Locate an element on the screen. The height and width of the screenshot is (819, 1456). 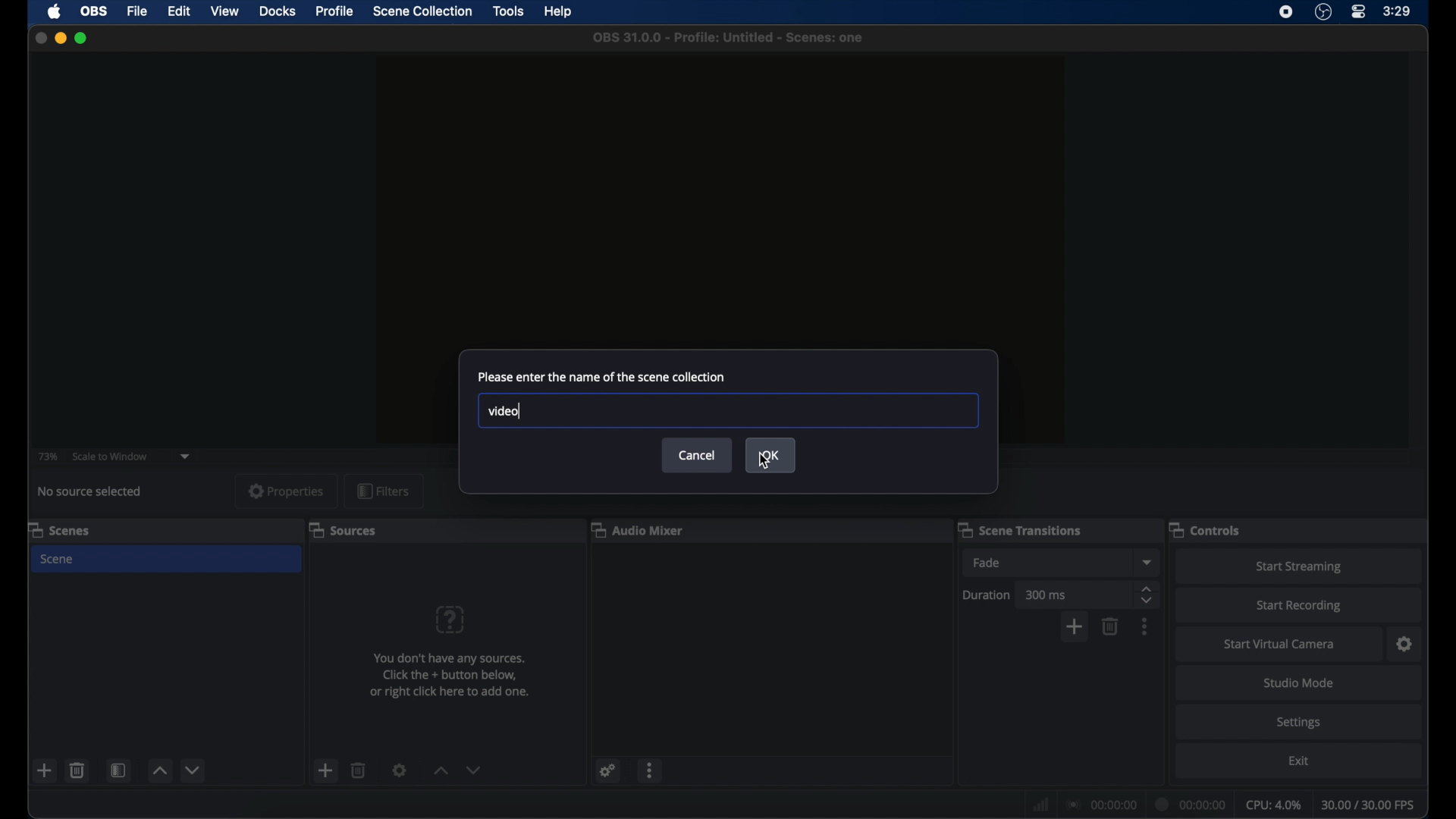
delete is located at coordinates (77, 770).